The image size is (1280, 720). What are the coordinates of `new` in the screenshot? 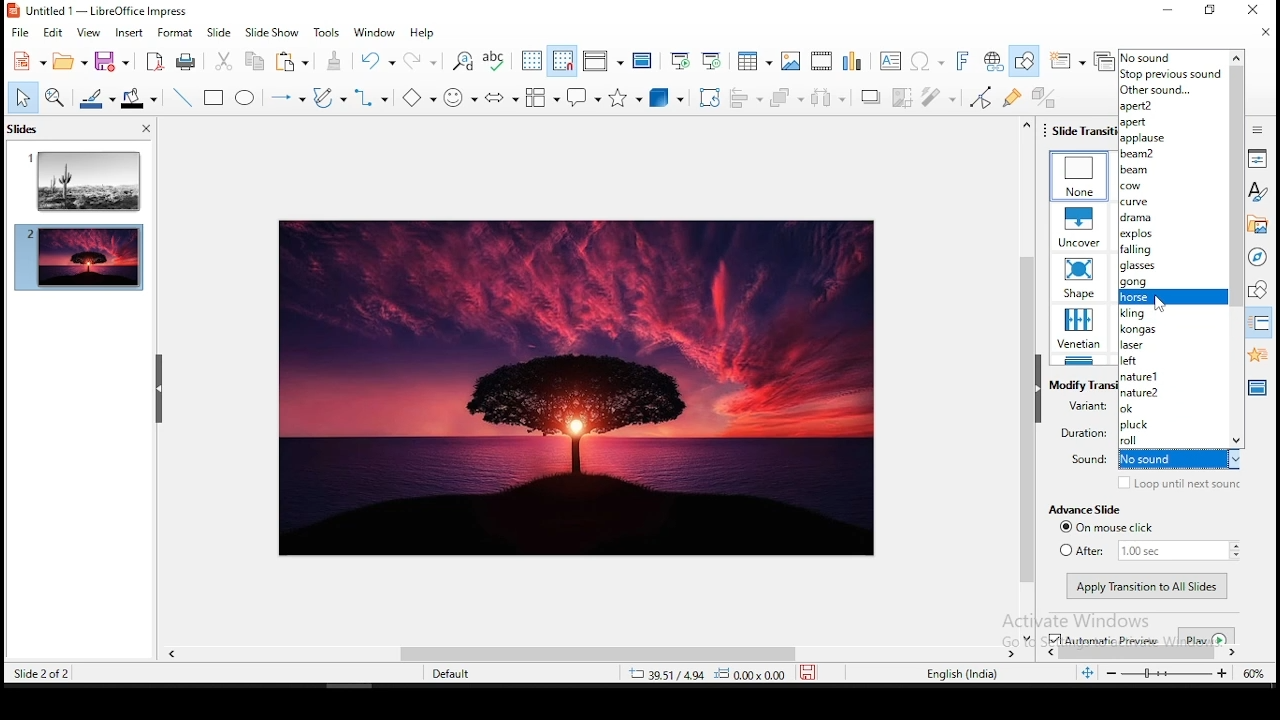 It's located at (30, 61).